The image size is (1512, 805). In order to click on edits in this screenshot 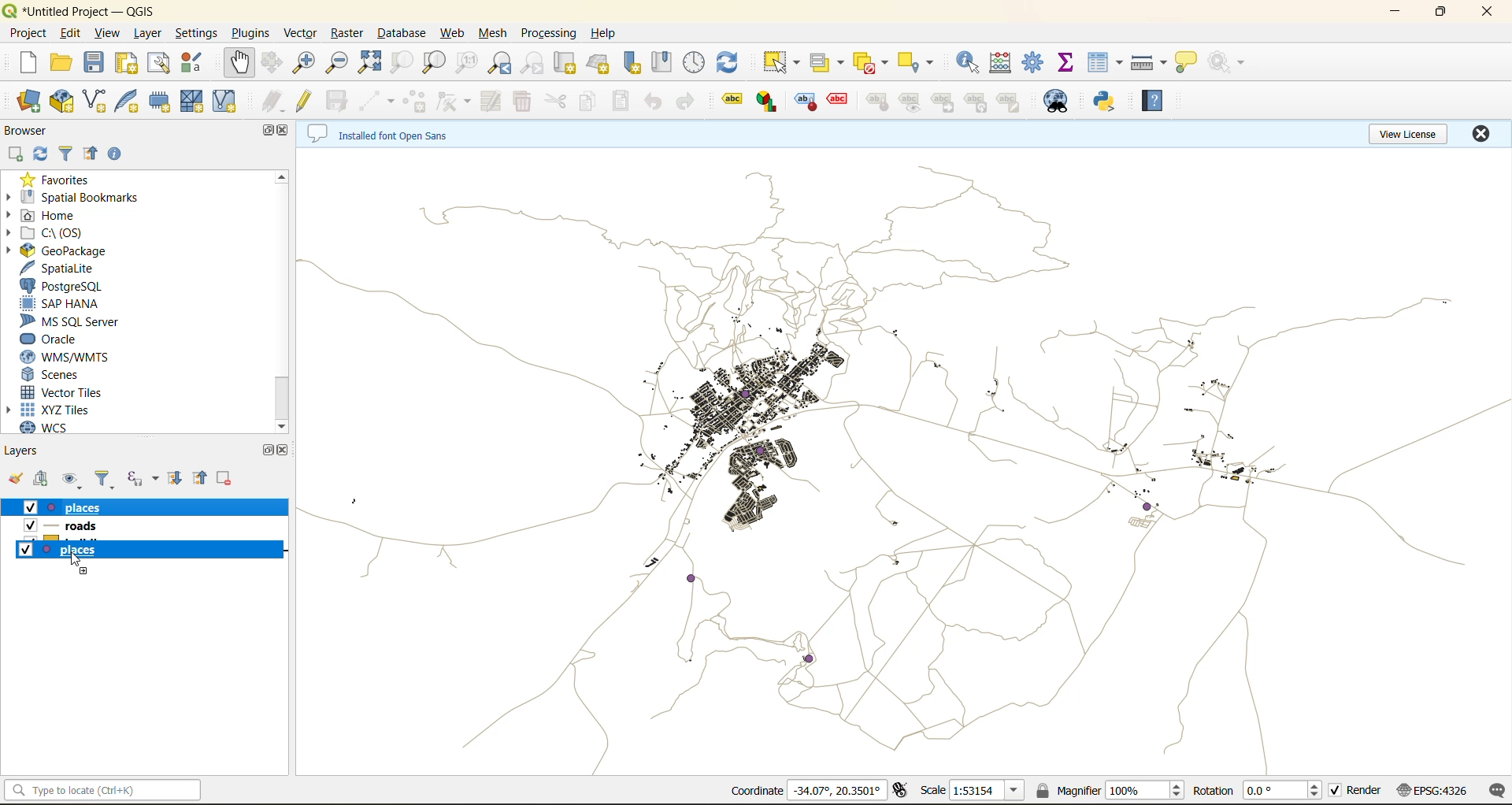, I will do `click(275, 103)`.